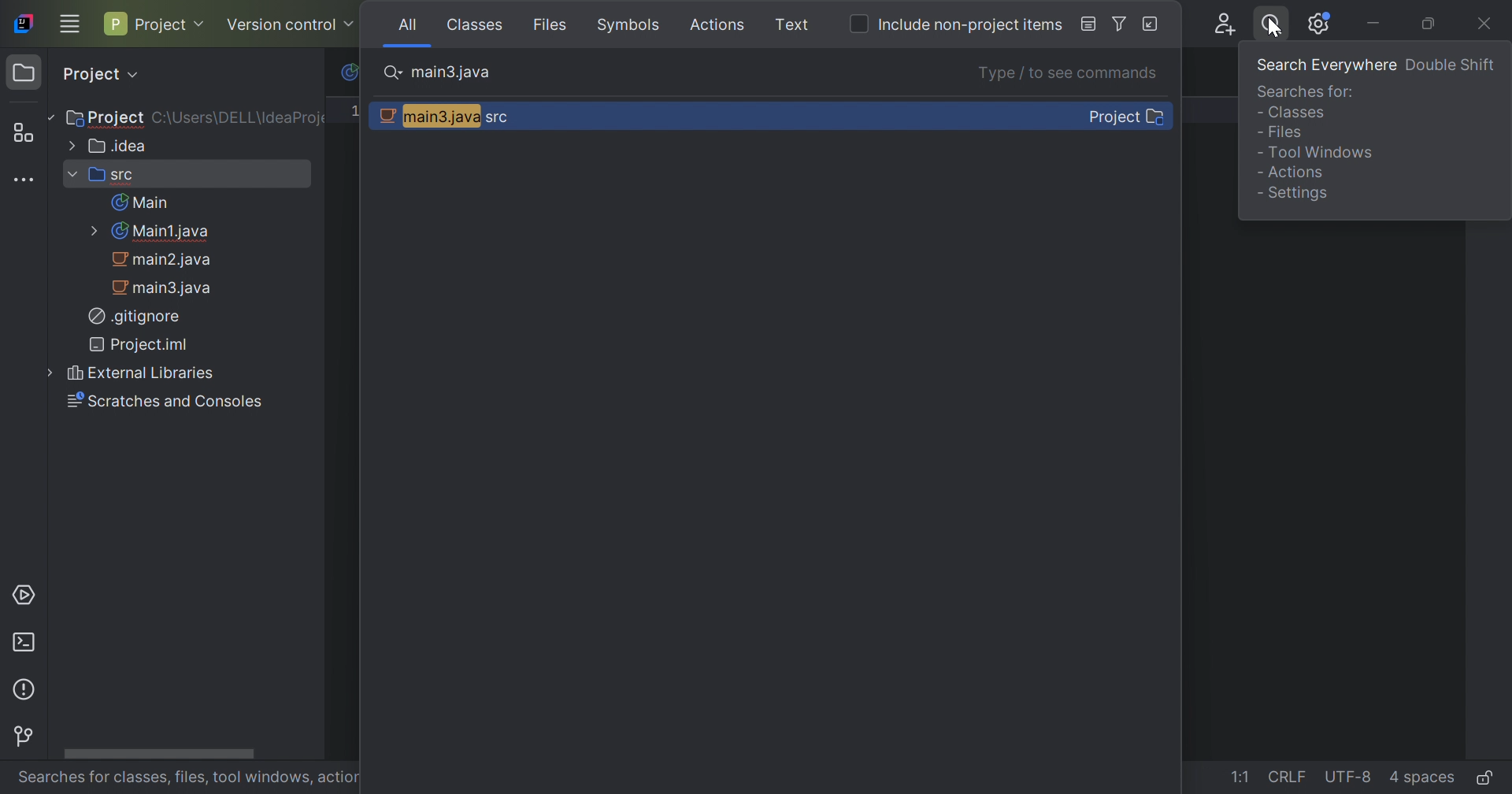  What do you see at coordinates (1431, 24) in the screenshot?
I see `Restore down` at bounding box center [1431, 24].